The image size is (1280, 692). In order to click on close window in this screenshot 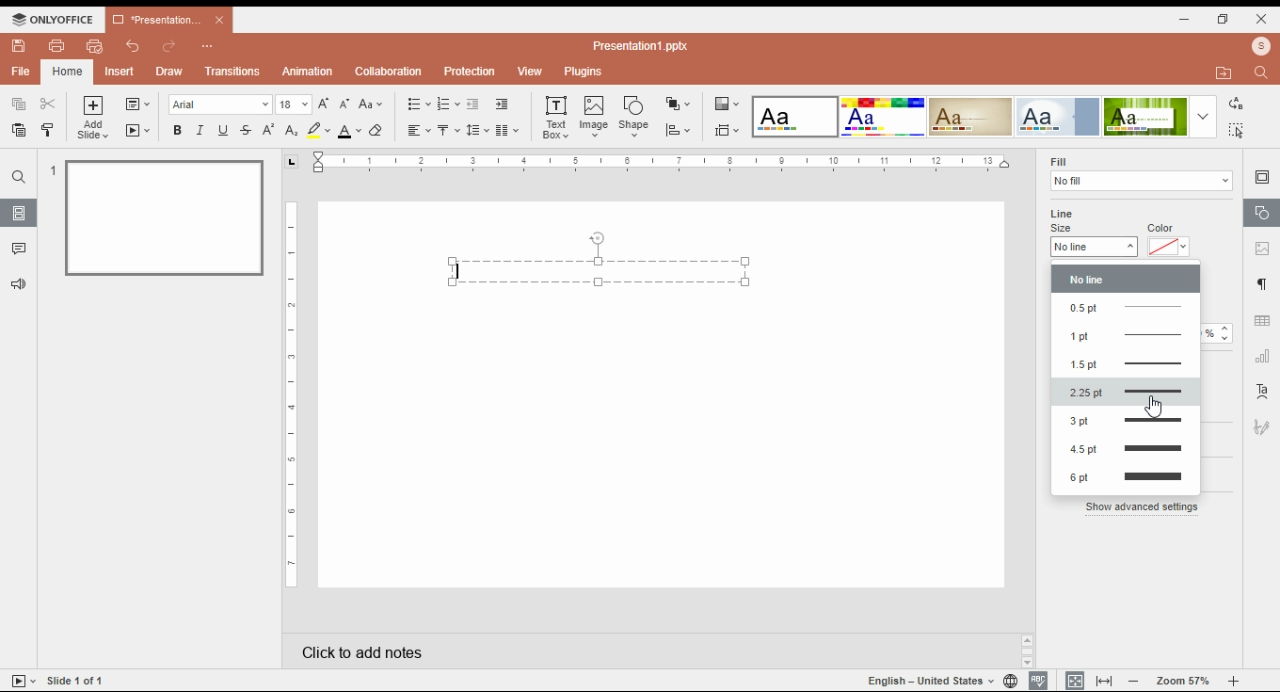, I will do `click(1260, 18)`.